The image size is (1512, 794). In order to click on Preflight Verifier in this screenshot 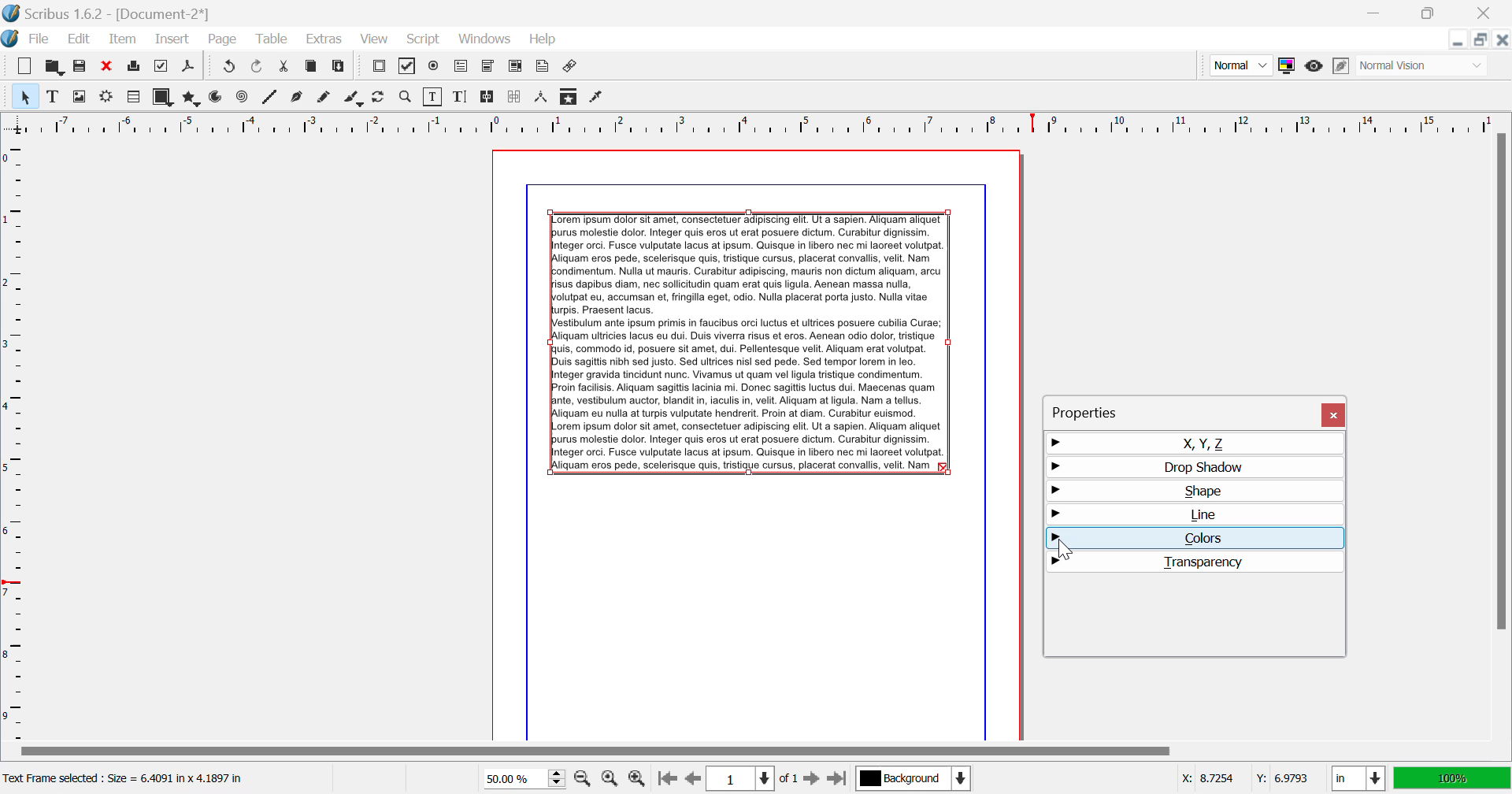, I will do `click(162, 66)`.